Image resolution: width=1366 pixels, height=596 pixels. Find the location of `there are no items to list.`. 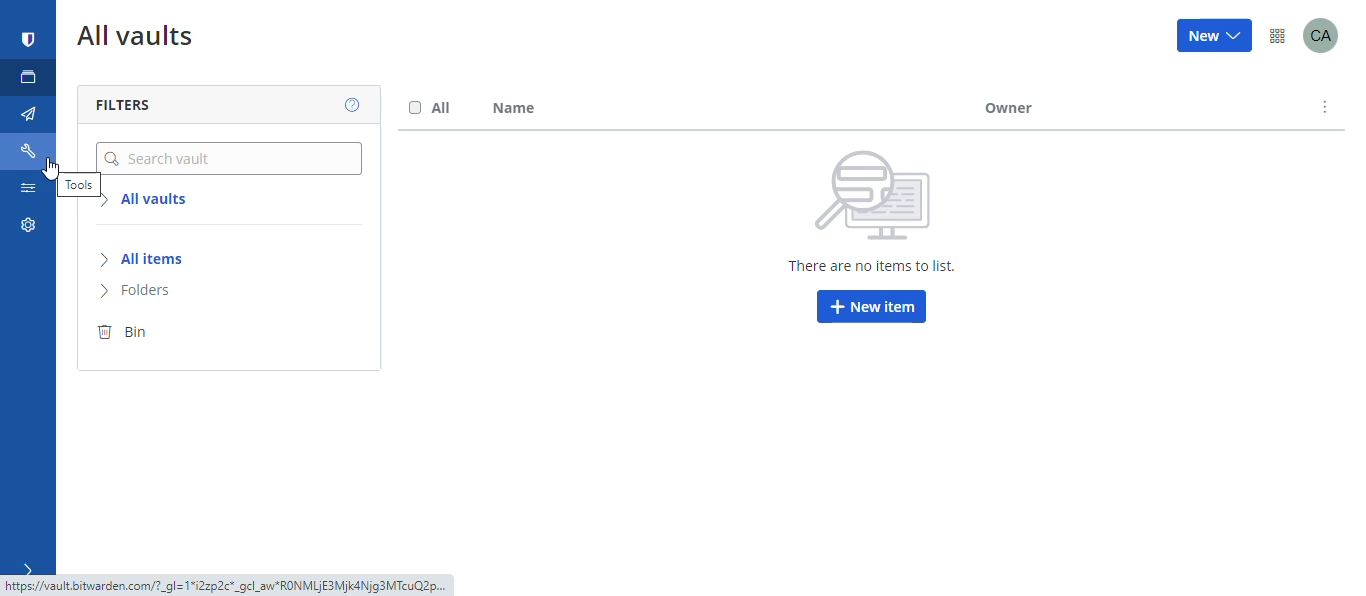

there are no items to list. is located at coordinates (865, 267).